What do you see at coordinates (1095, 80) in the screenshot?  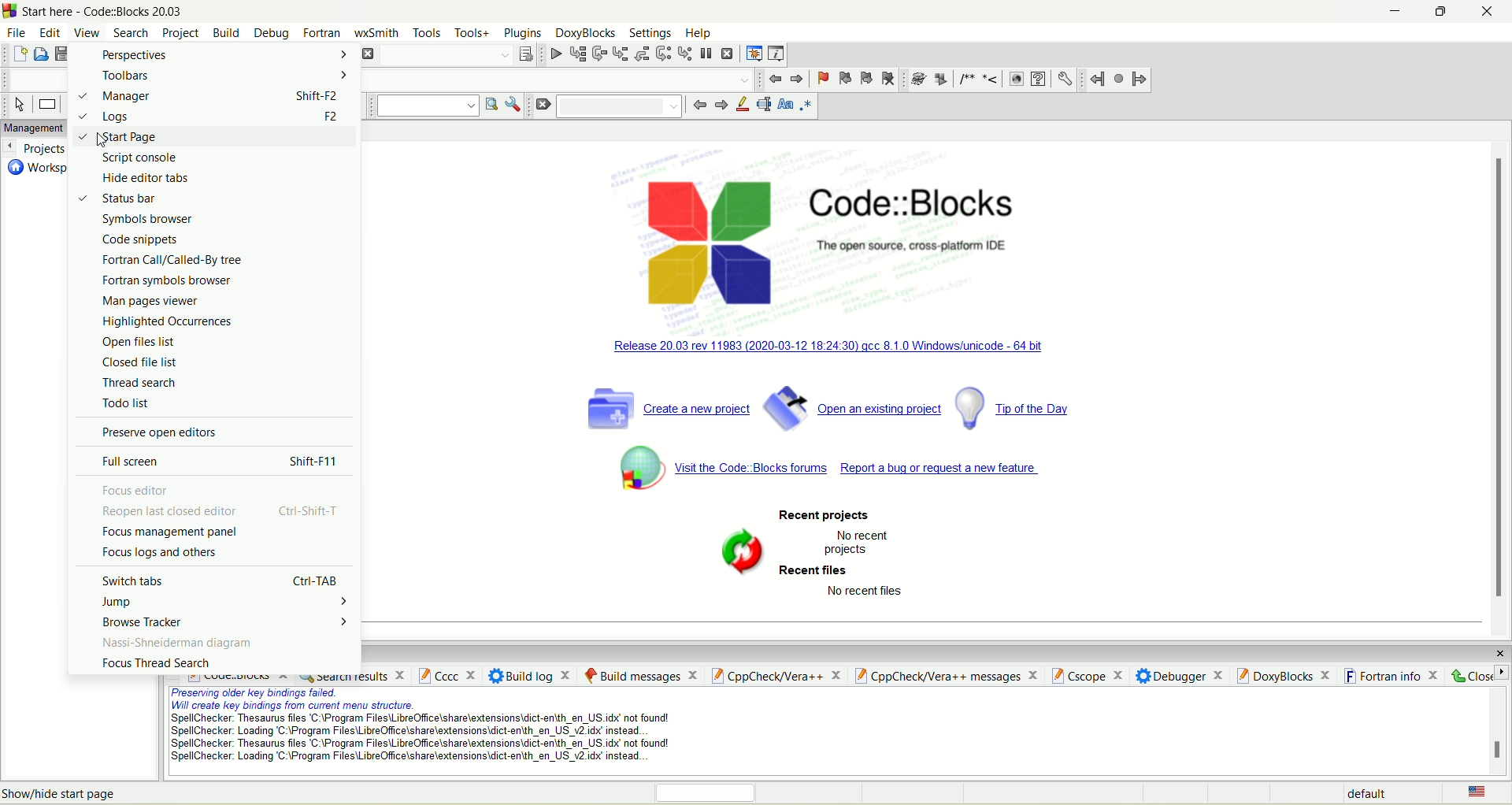 I see `jump back` at bounding box center [1095, 80].